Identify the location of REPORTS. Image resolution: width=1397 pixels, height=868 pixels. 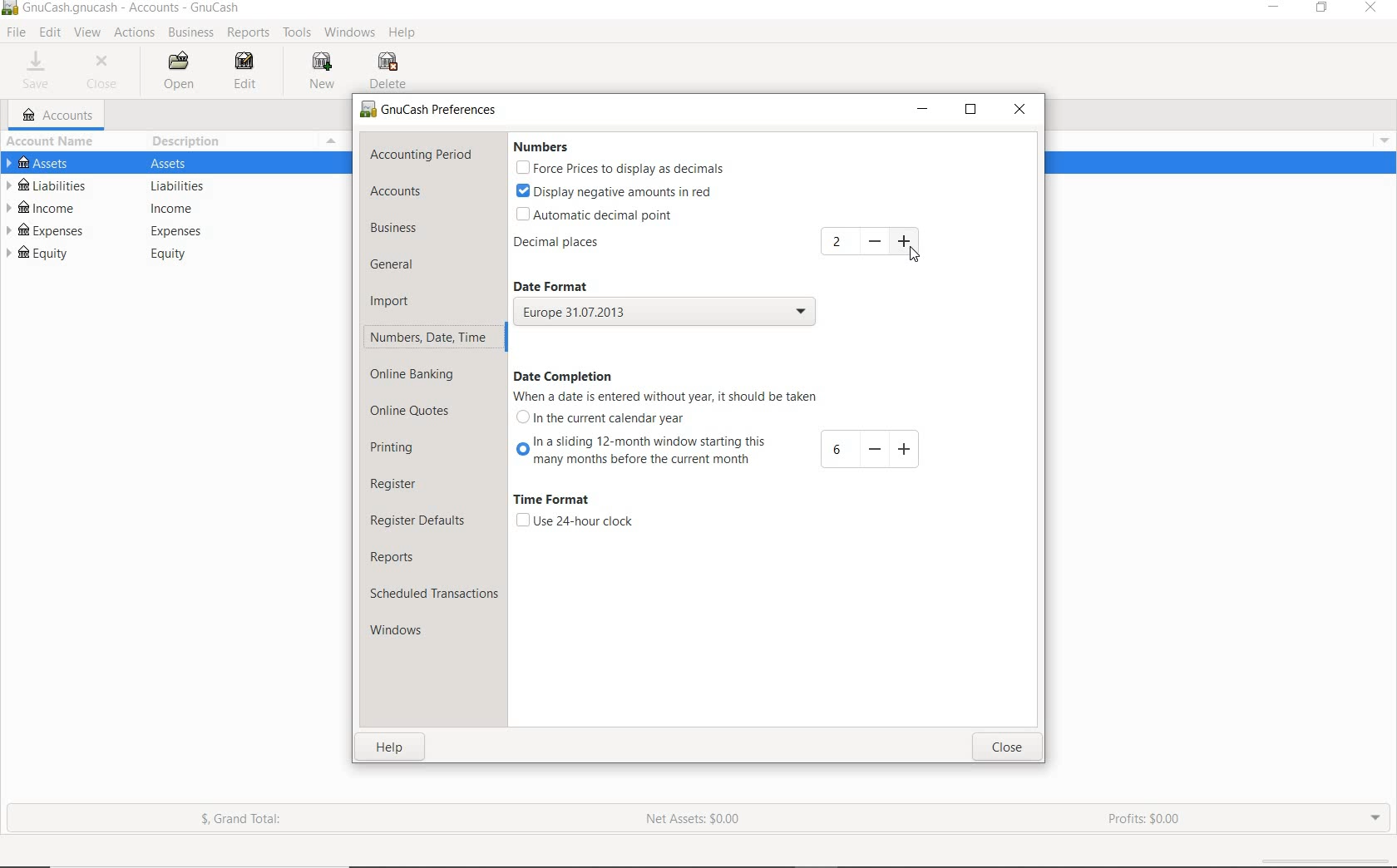
(248, 33).